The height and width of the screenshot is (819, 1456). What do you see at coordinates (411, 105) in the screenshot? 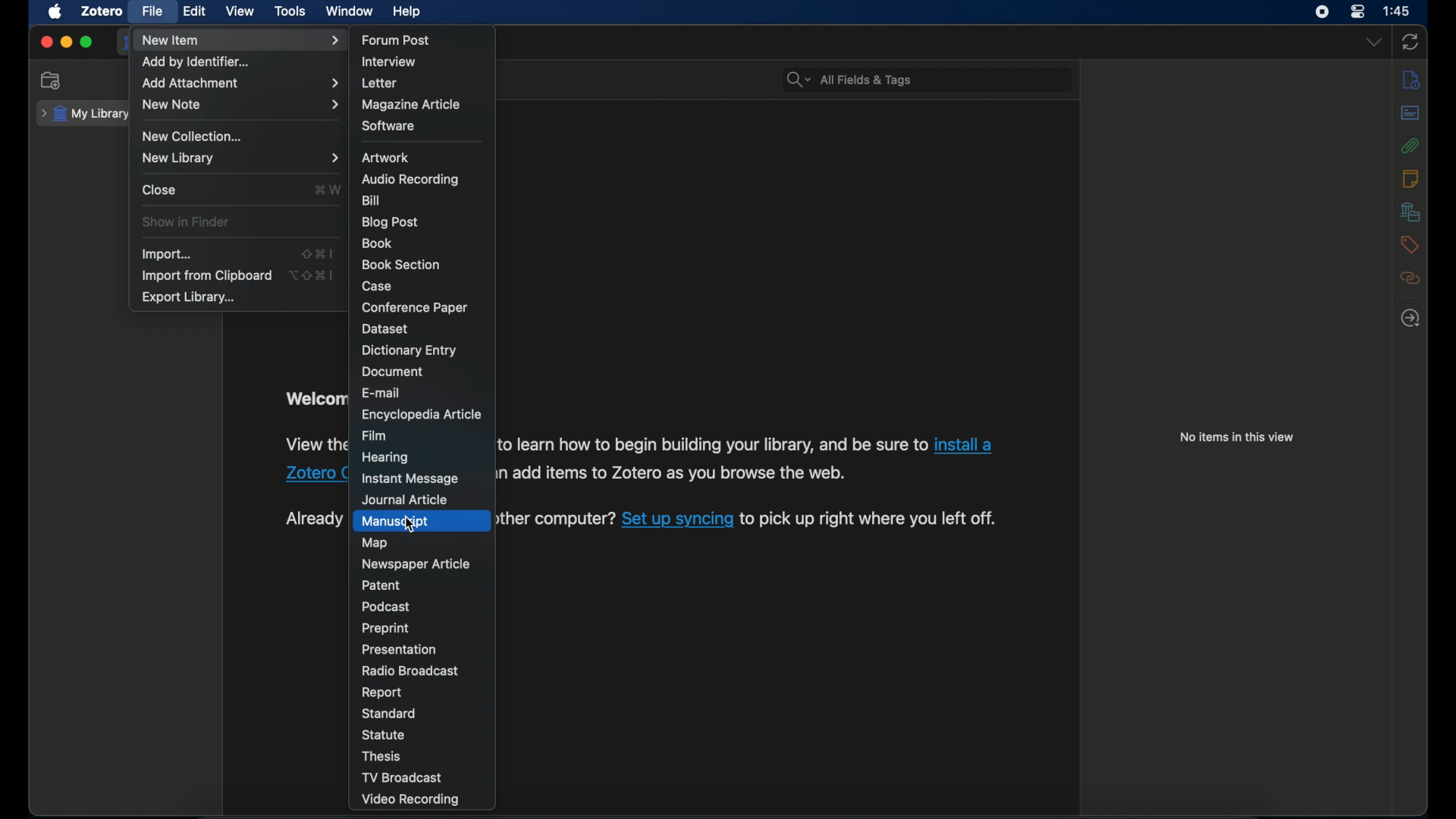
I see `magazine article` at bounding box center [411, 105].